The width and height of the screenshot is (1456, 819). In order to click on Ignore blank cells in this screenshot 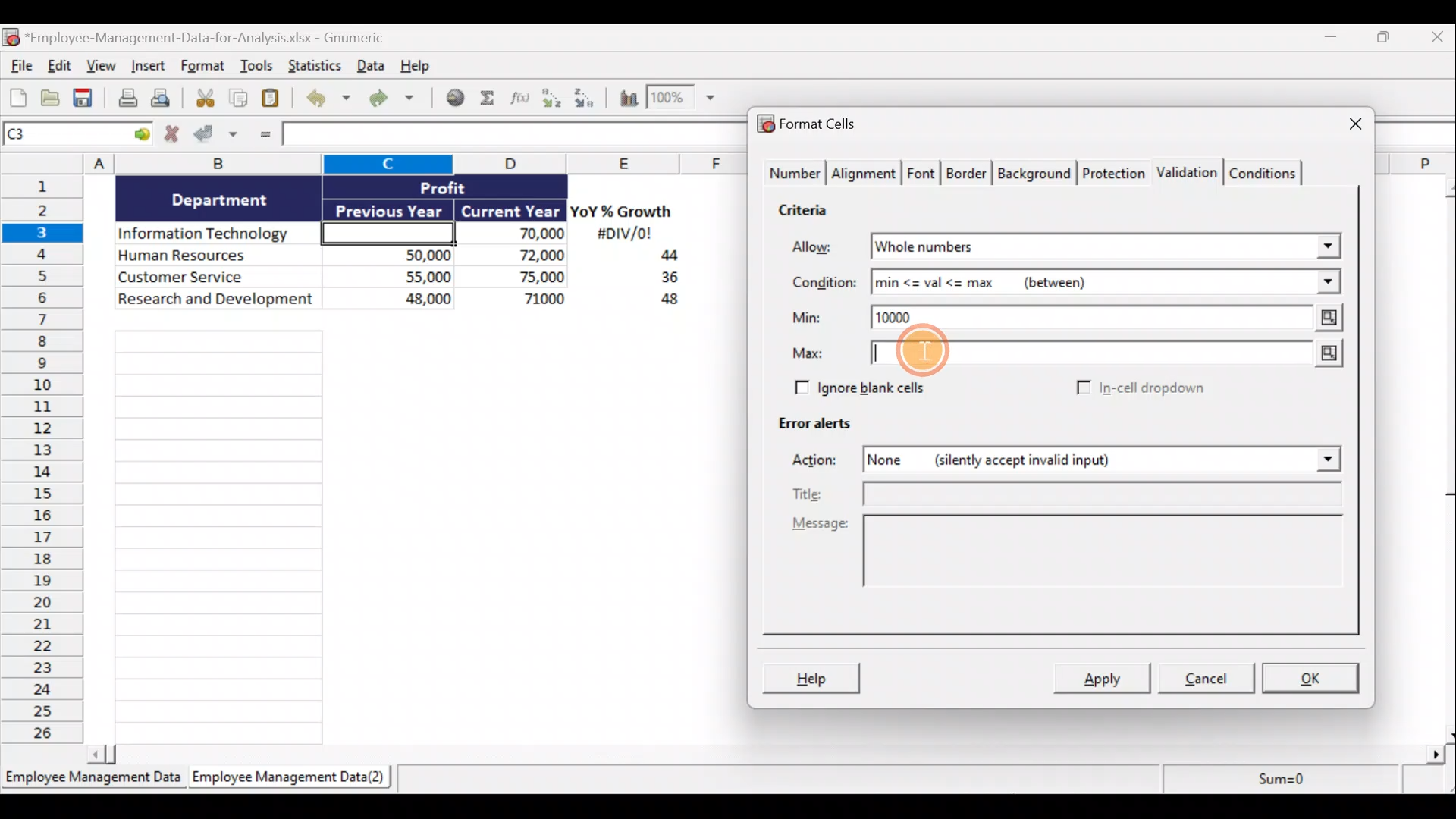, I will do `click(882, 388)`.